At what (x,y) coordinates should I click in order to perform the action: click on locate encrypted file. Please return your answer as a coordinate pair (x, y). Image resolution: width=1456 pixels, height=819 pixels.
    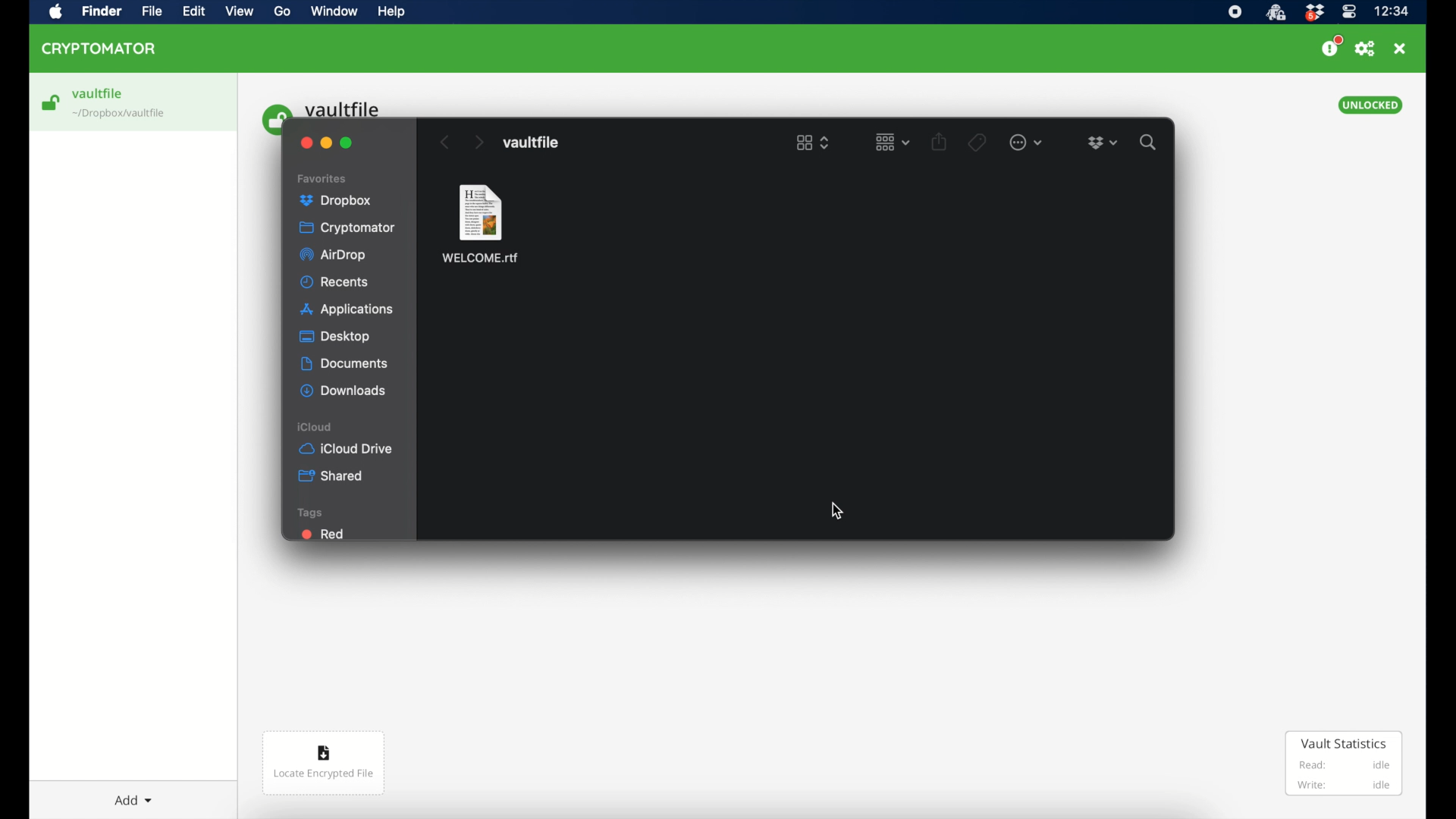
    Looking at the image, I should click on (325, 762).